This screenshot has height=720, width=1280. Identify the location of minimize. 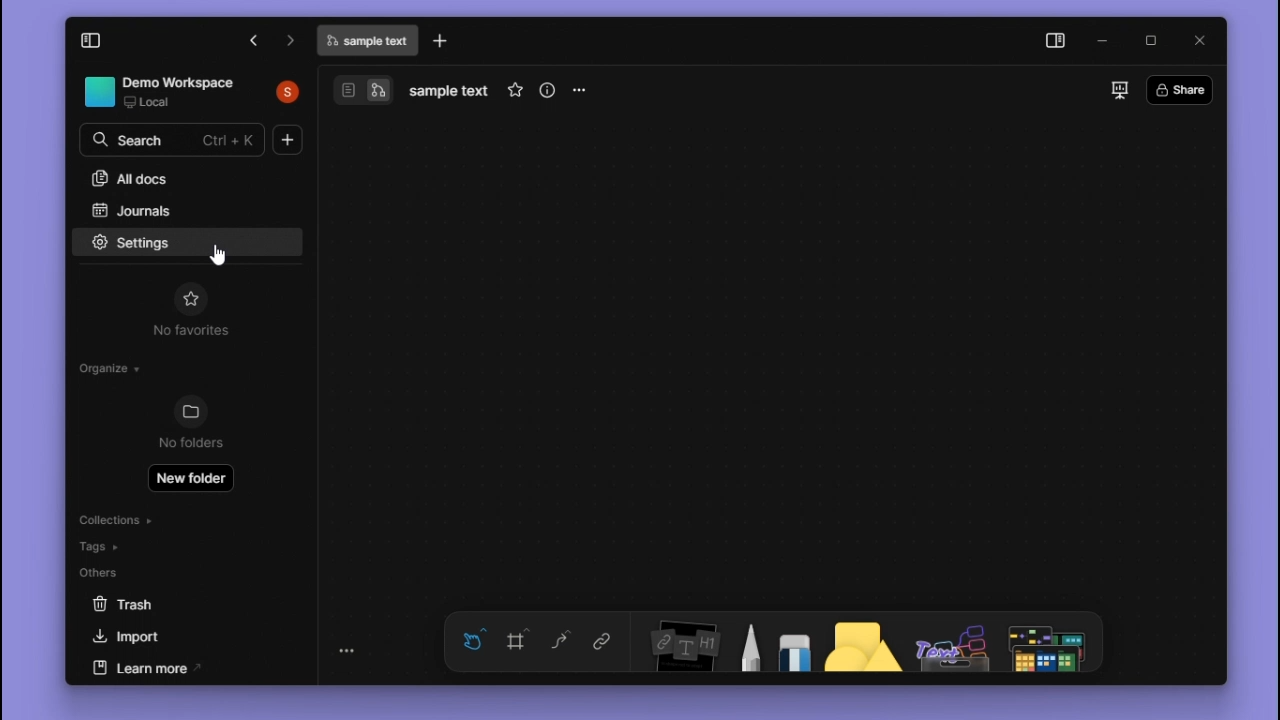
(1106, 37).